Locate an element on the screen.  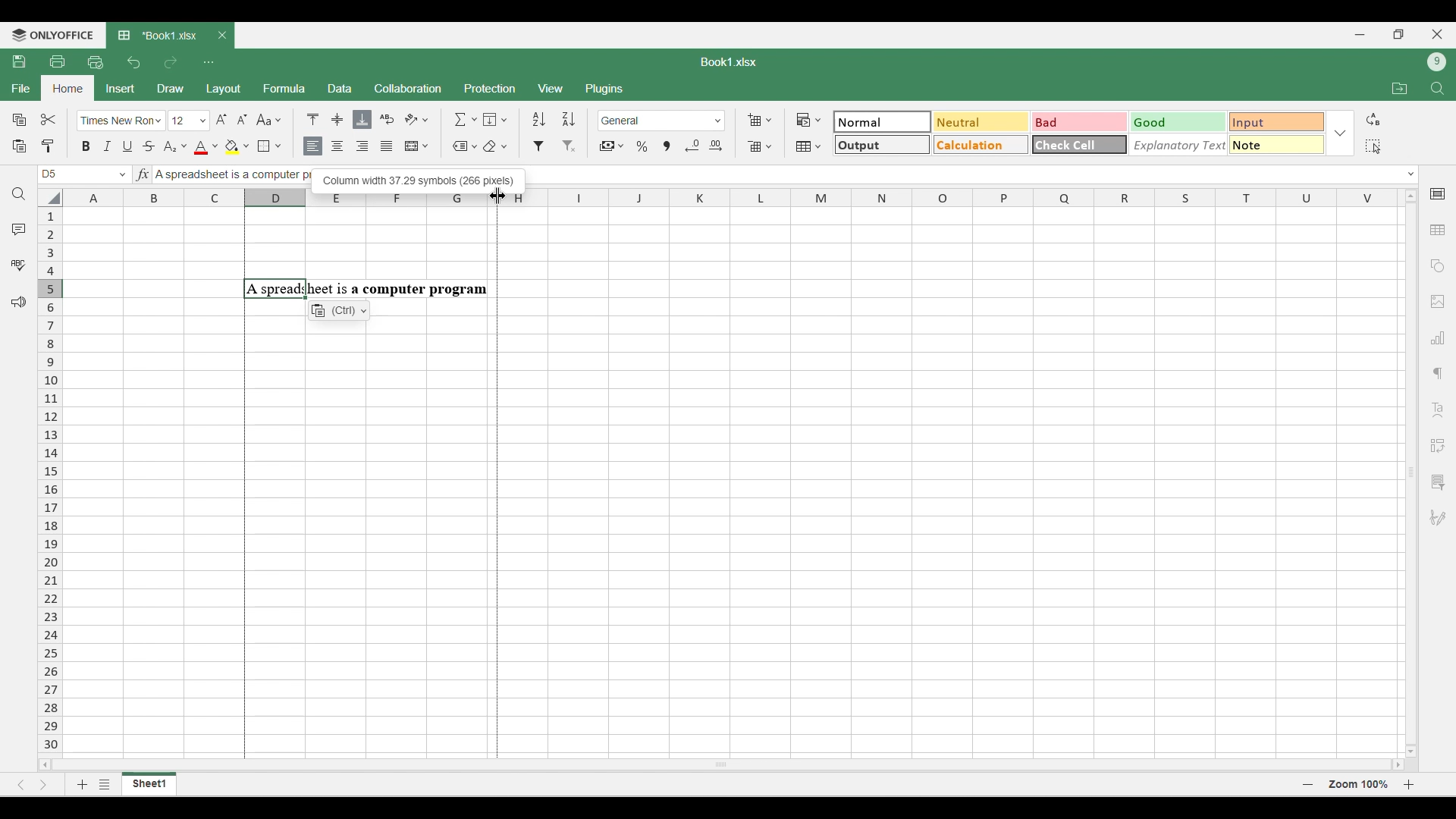
Data menu is located at coordinates (340, 87).